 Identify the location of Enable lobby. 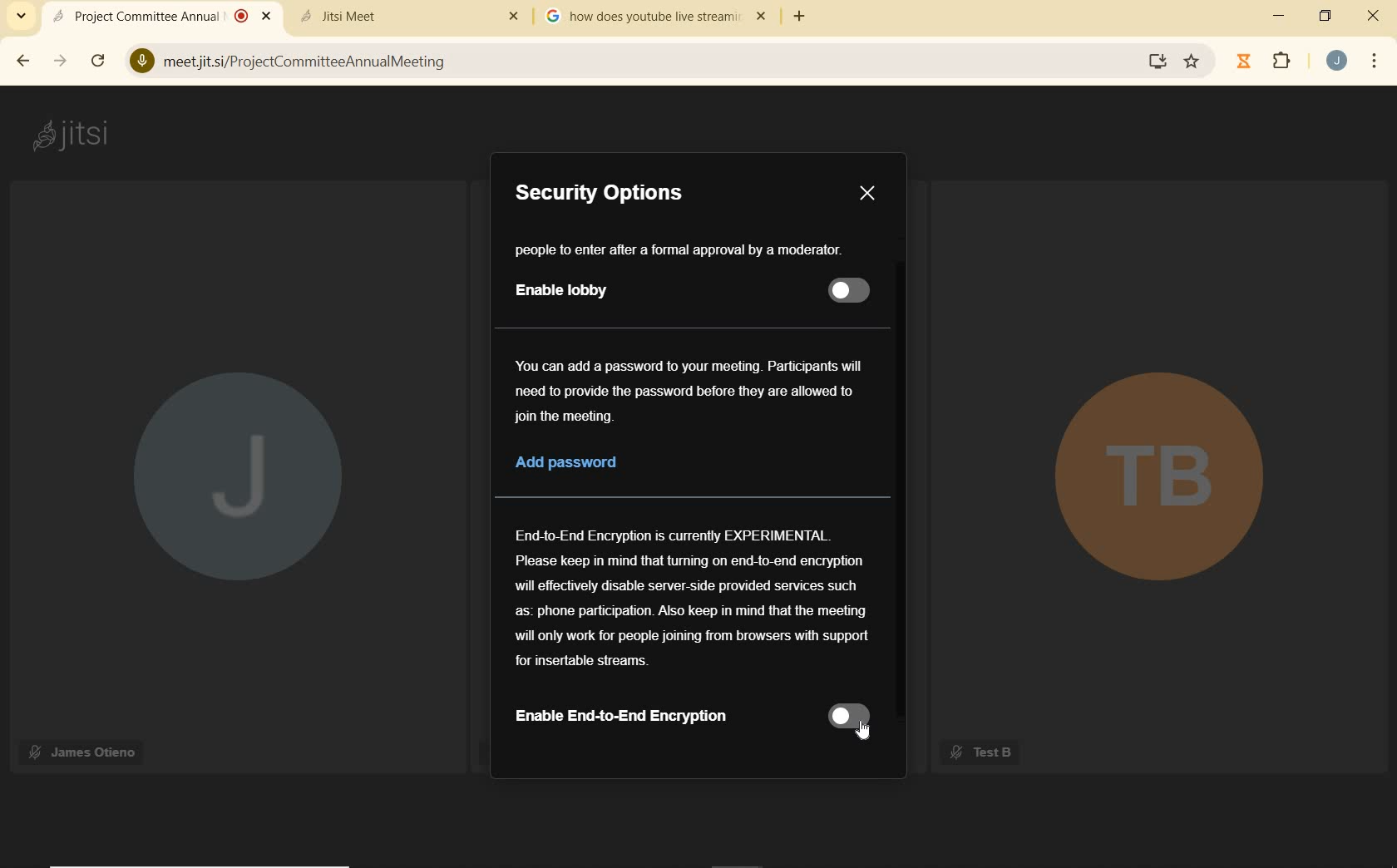
(564, 289).